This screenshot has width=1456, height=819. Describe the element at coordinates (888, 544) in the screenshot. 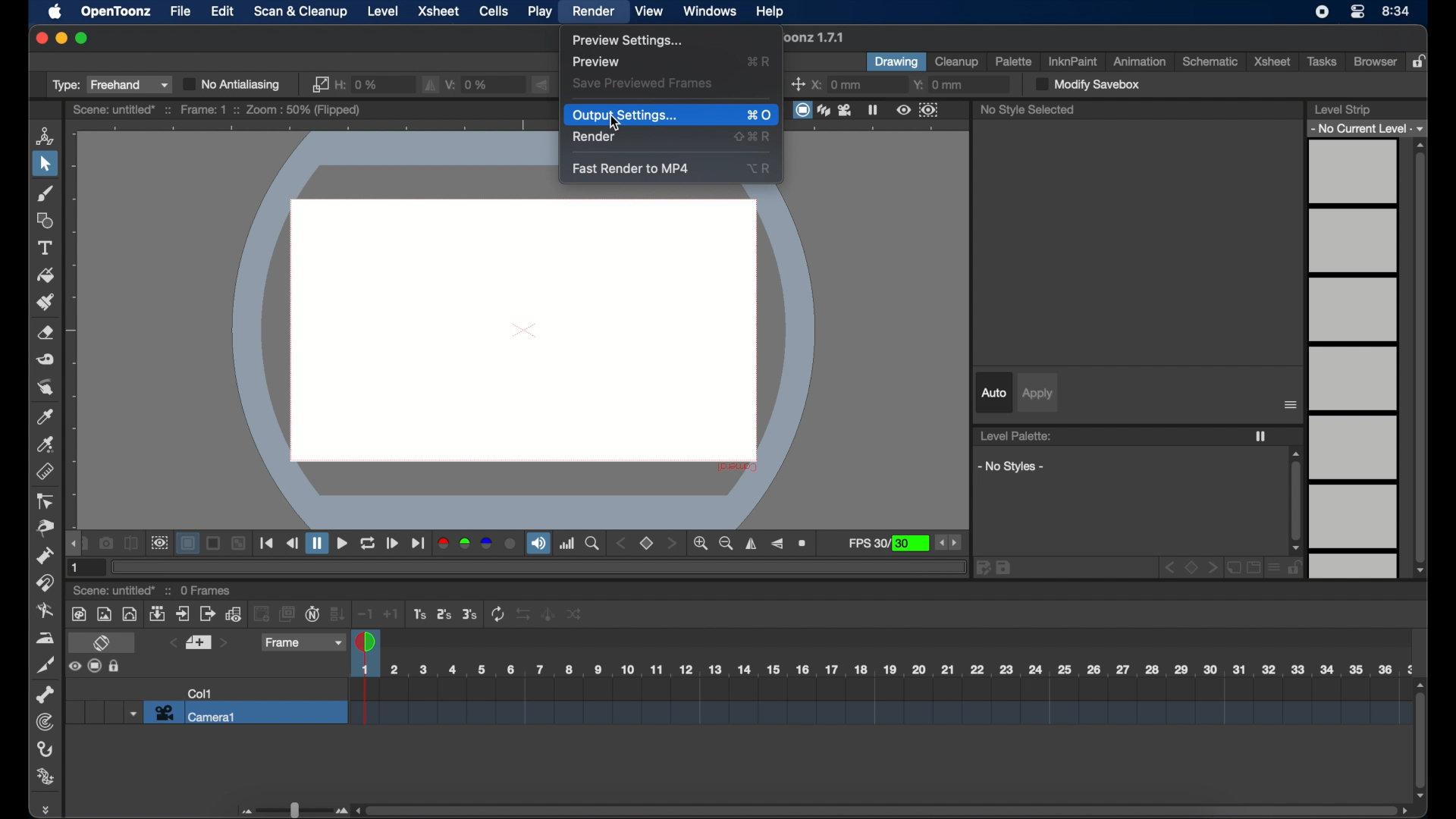

I see `fps` at that location.